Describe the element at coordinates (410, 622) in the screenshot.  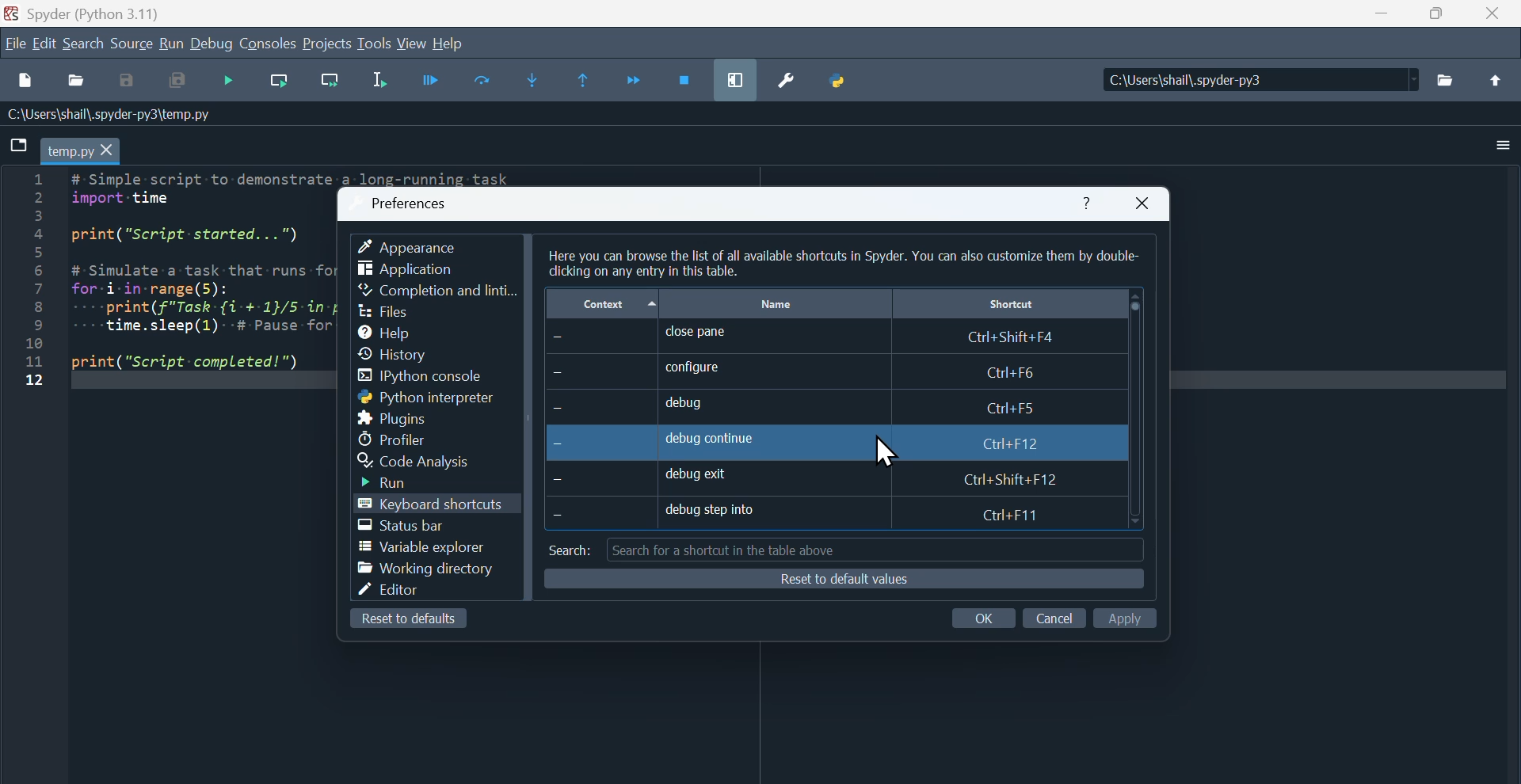
I see `Reset to defaults` at that location.